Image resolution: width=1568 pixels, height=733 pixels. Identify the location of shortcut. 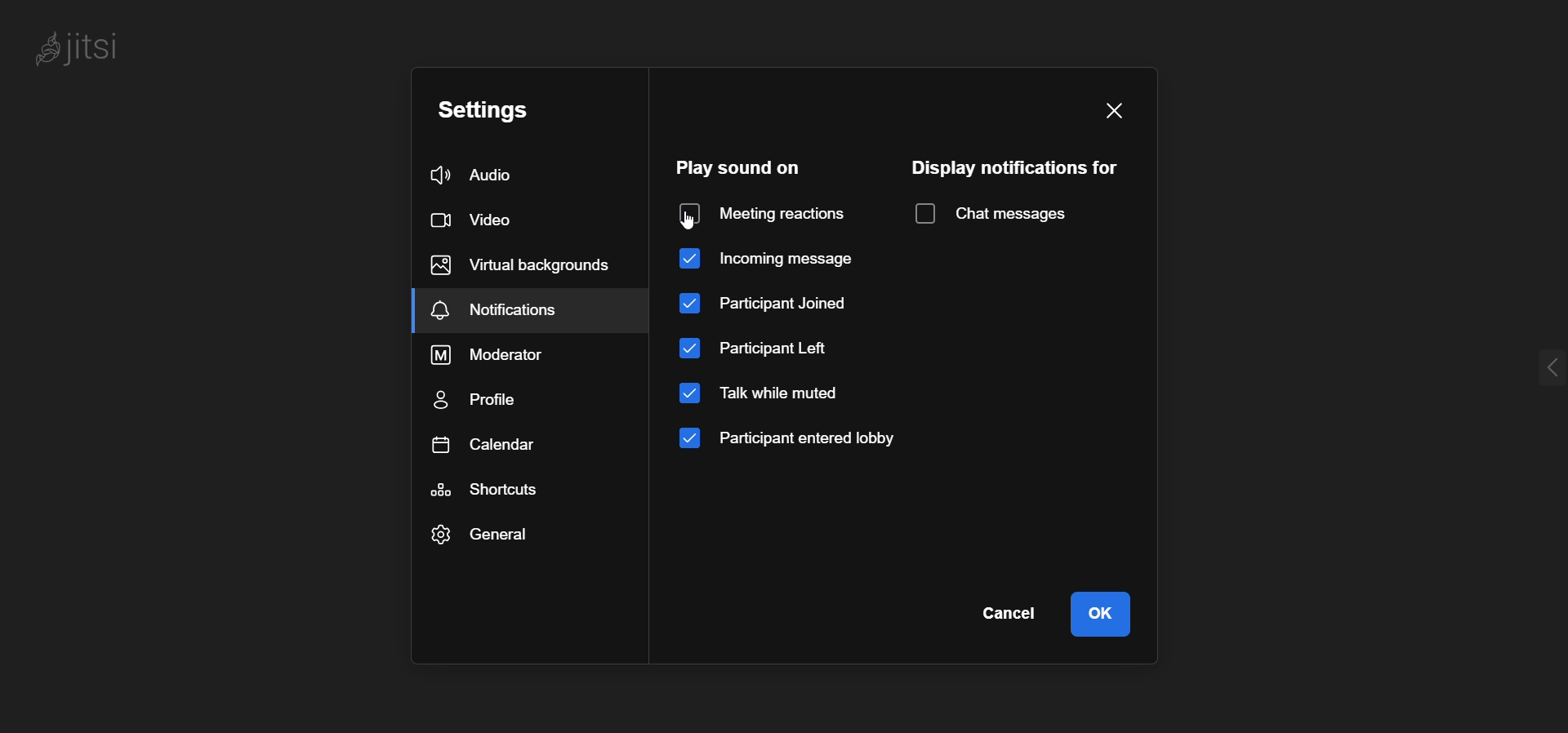
(492, 487).